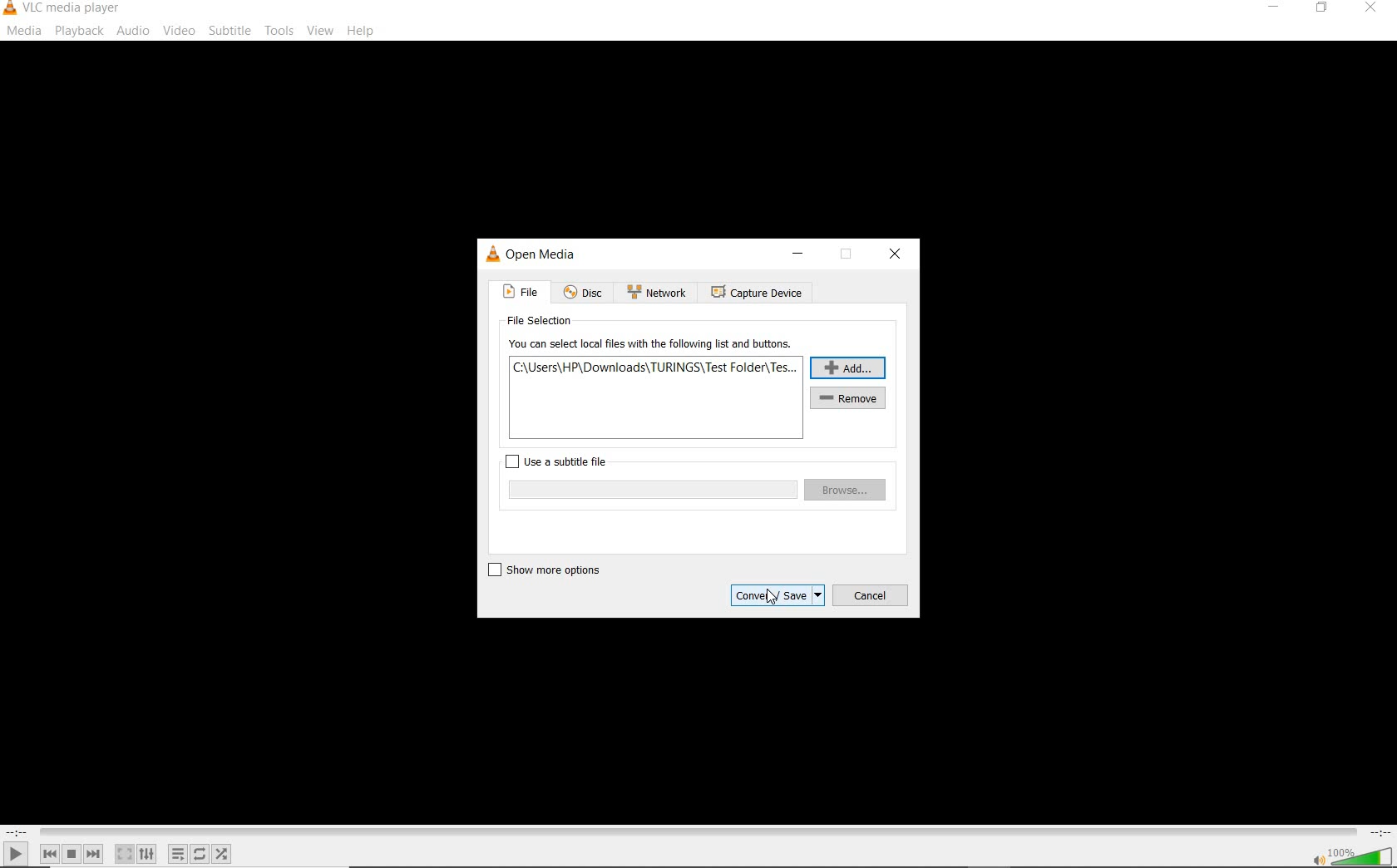  What do you see at coordinates (72, 854) in the screenshot?
I see `stop` at bounding box center [72, 854].